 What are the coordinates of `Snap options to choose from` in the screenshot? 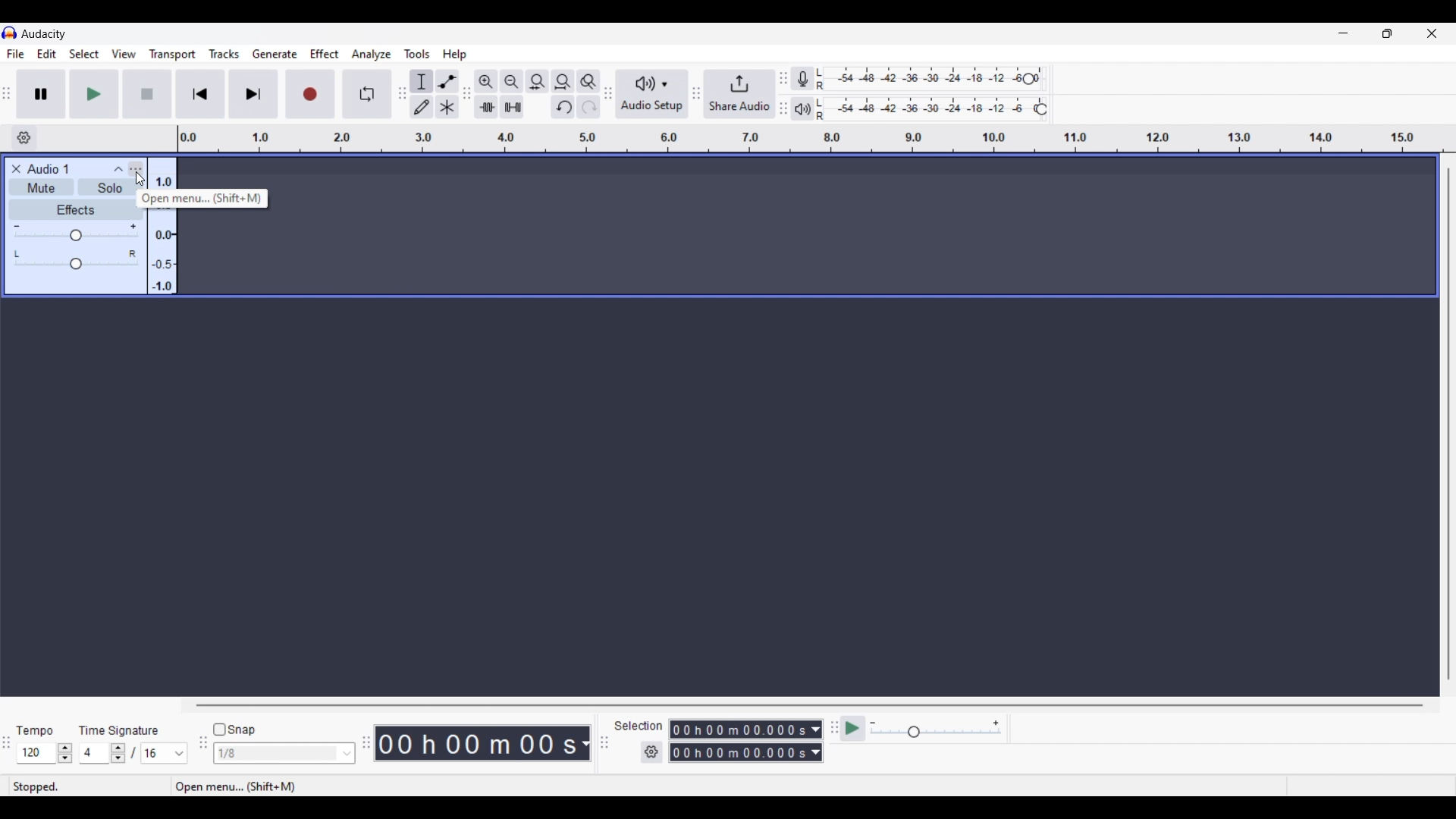 It's located at (348, 754).